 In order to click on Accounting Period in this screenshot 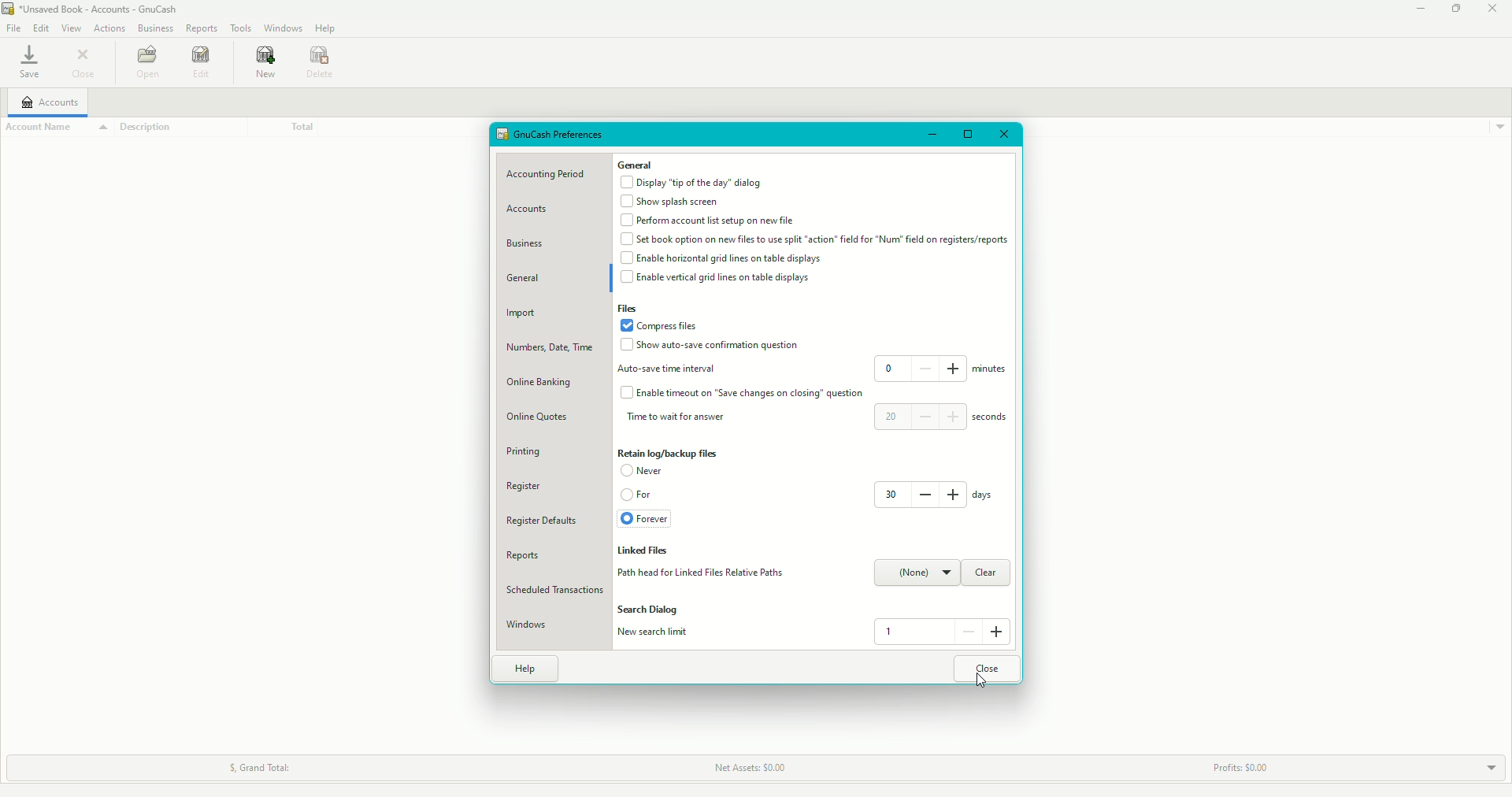, I will do `click(550, 175)`.